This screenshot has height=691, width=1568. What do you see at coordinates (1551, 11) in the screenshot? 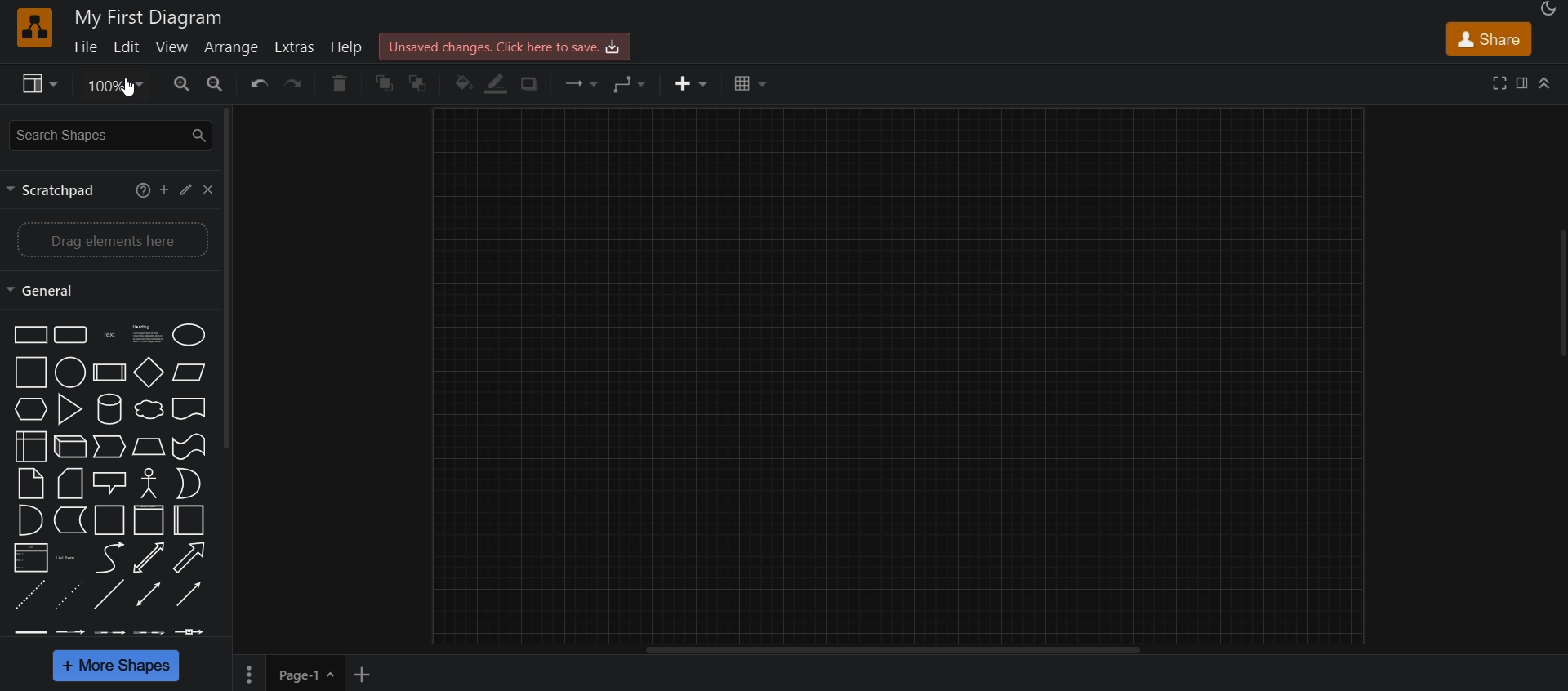
I see `appearance` at bounding box center [1551, 11].